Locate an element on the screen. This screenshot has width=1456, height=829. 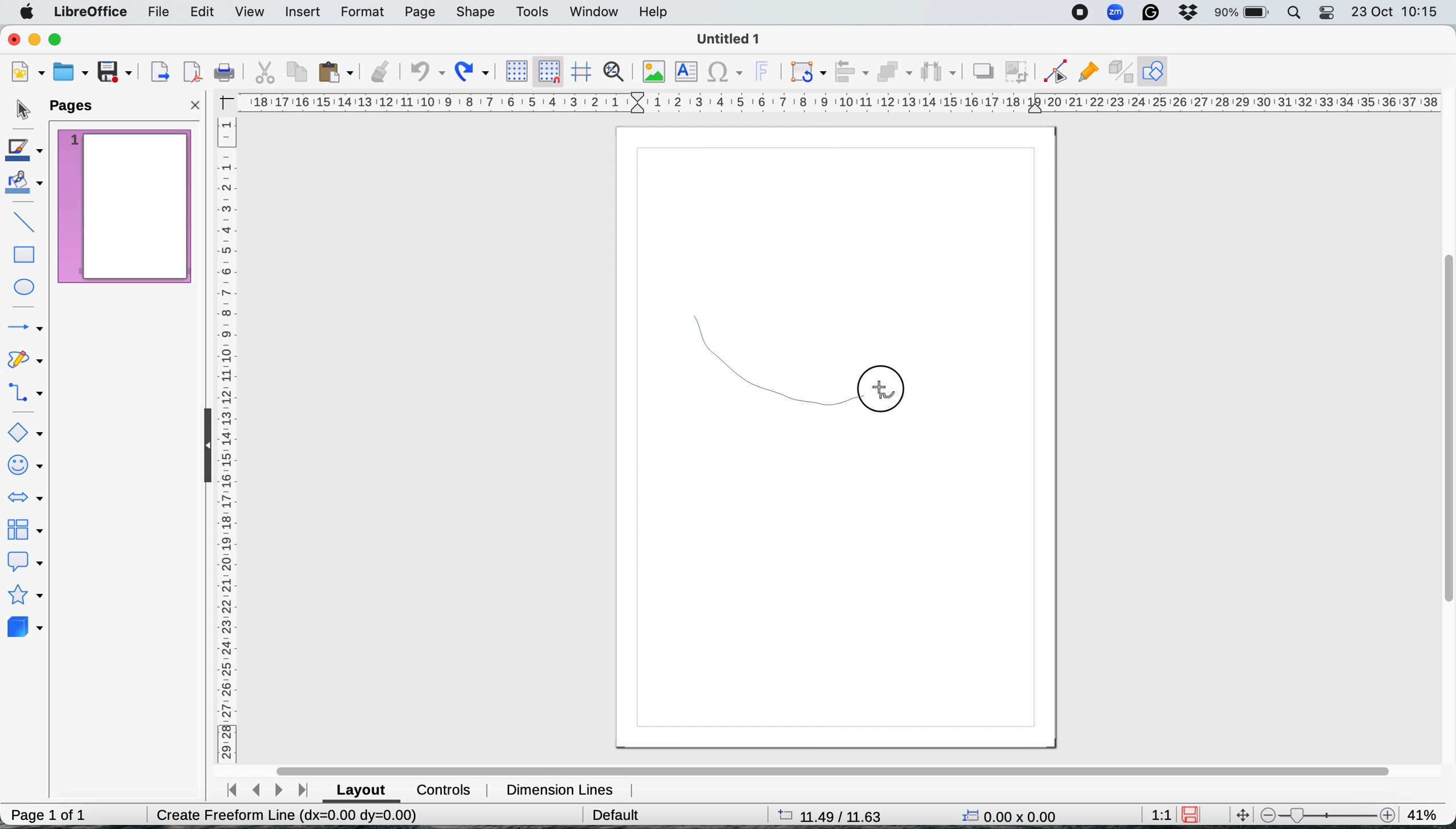
cut is located at coordinates (264, 72).